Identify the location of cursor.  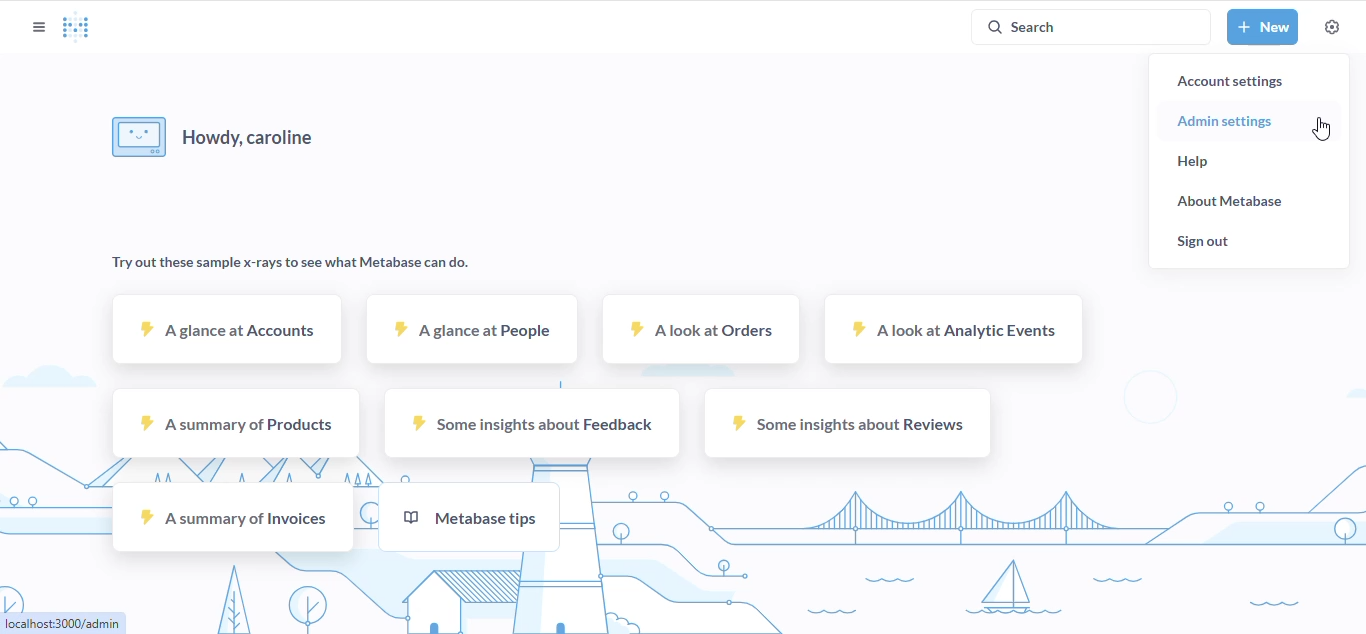
(1321, 128).